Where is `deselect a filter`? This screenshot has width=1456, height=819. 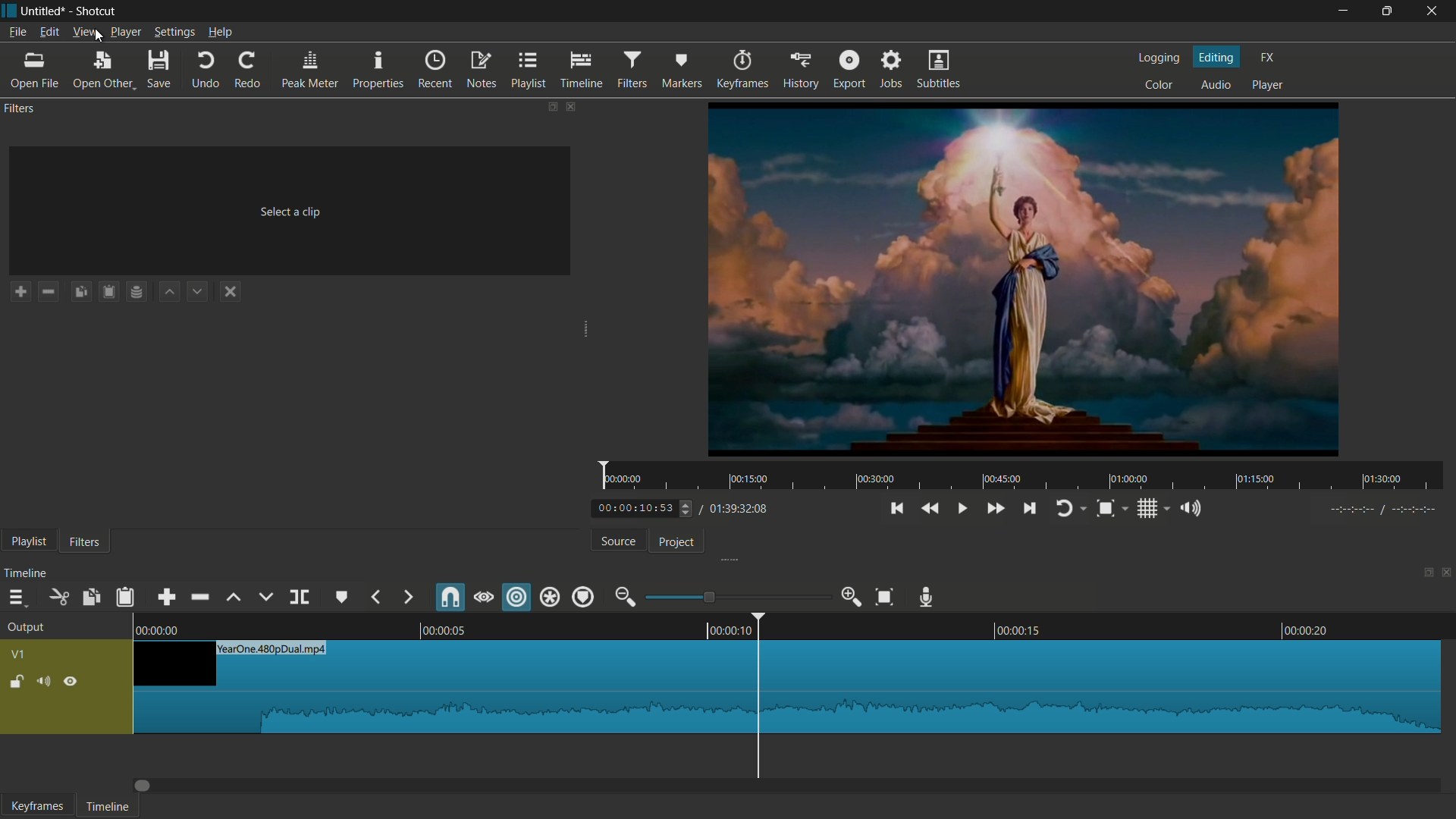
deselect a filter is located at coordinates (230, 292).